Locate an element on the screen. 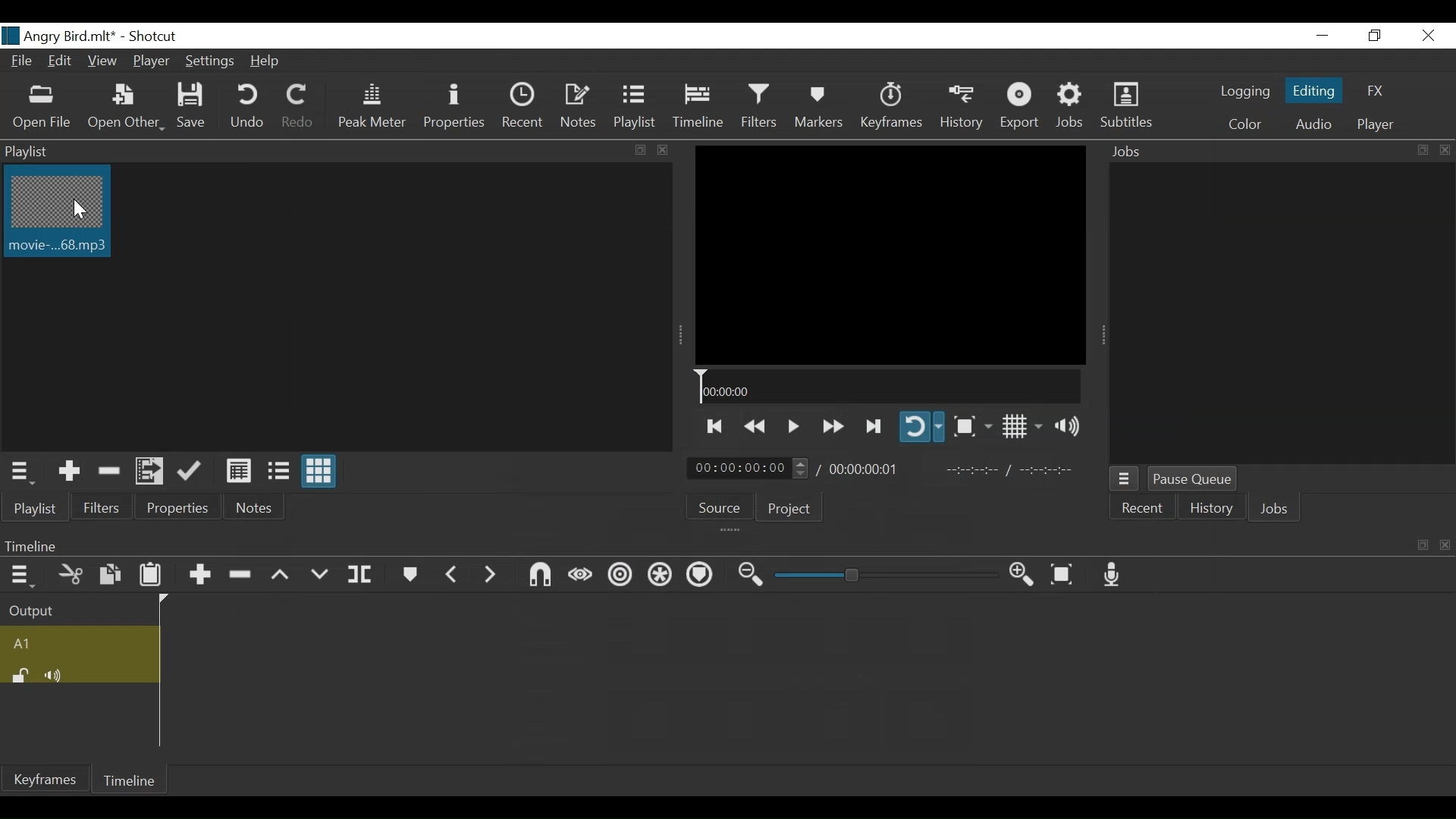 The width and height of the screenshot is (1456, 819). Jobs menu is located at coordinates (1125, 479).